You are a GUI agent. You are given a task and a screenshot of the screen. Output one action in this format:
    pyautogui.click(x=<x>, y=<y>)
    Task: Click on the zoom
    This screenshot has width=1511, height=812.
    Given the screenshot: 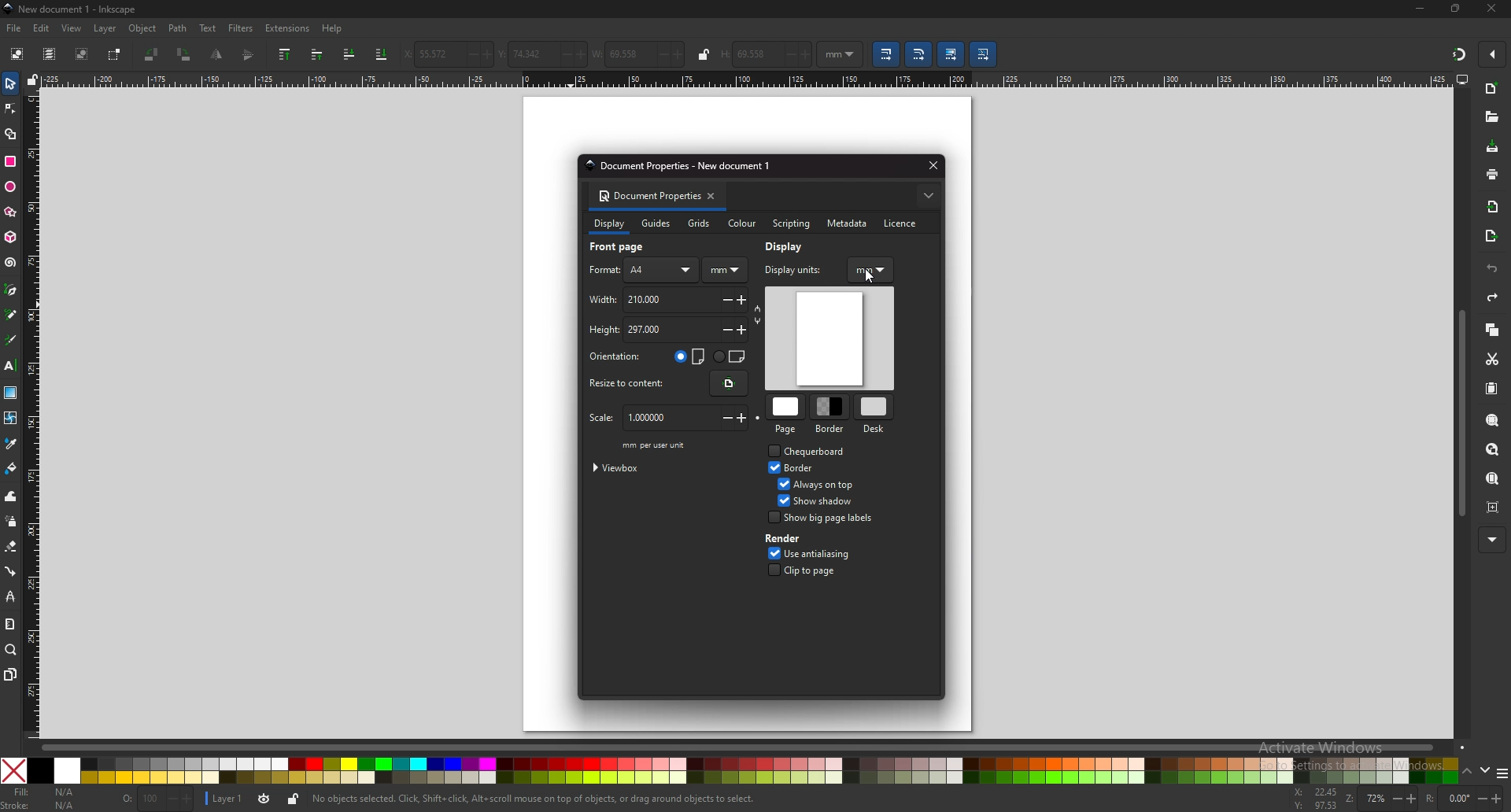 What is the action you would take?
    pyautogui.click(x=1362, y=800)
    